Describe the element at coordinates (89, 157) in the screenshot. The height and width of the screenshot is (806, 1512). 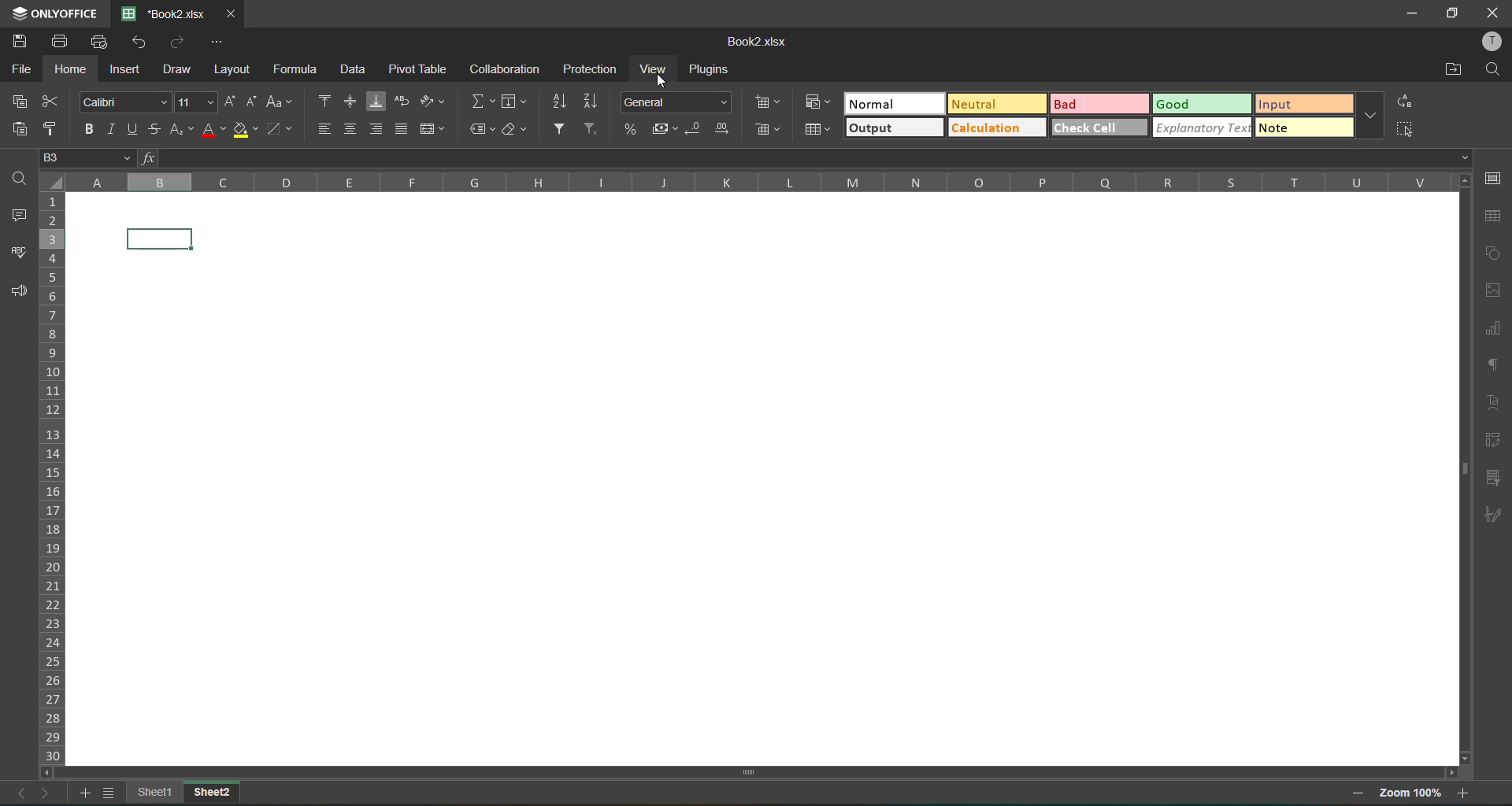
I see `B3` at that location.